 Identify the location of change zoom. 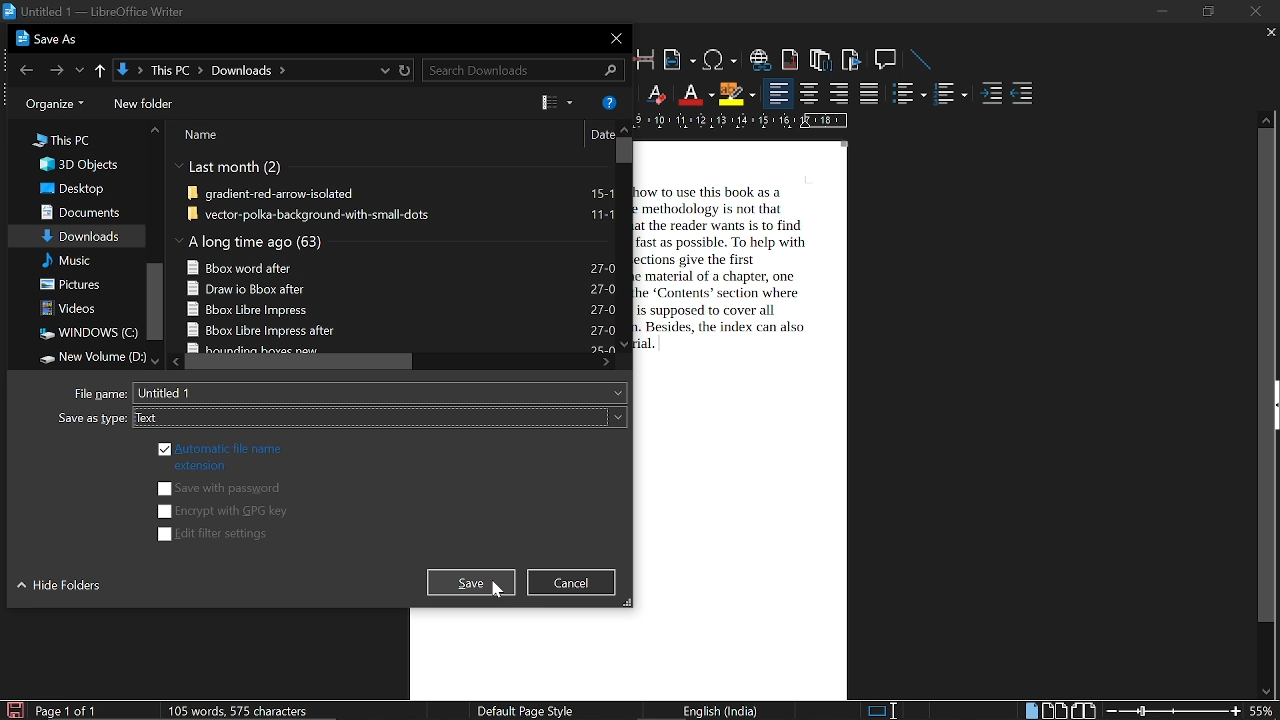
(1174, 712).